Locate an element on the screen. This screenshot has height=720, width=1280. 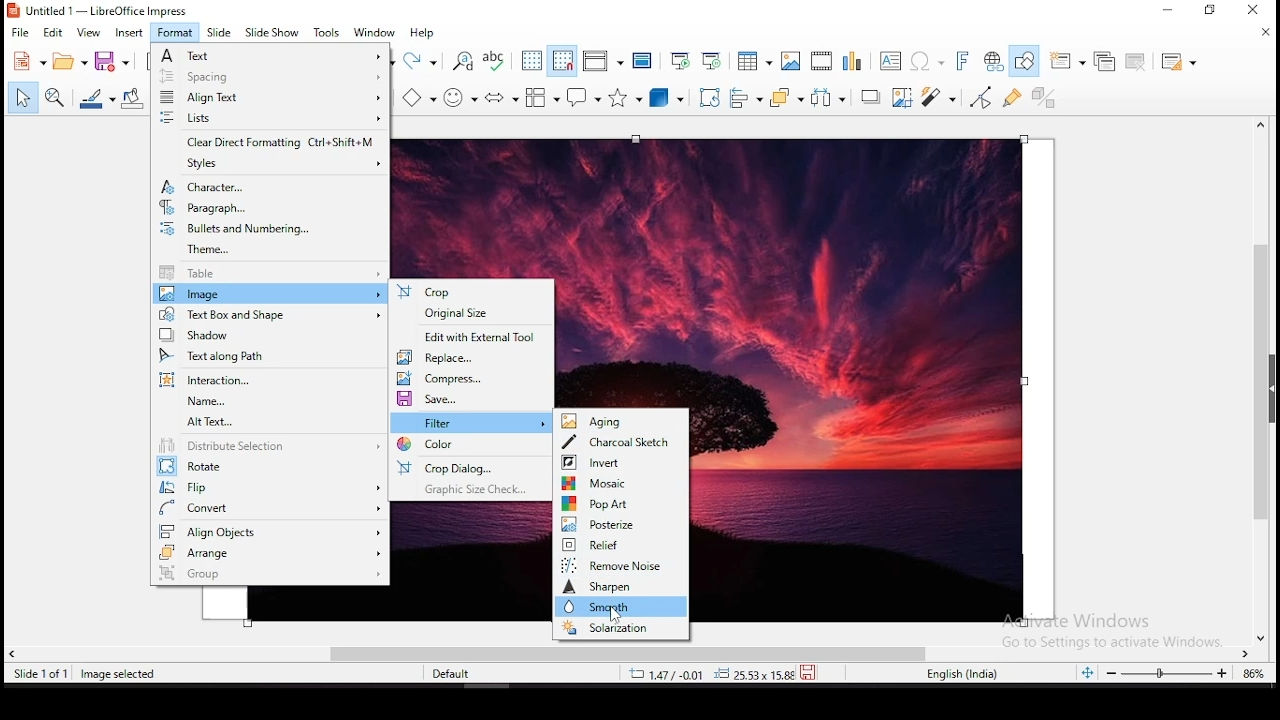
rotate is located at coordinates (707, 99).